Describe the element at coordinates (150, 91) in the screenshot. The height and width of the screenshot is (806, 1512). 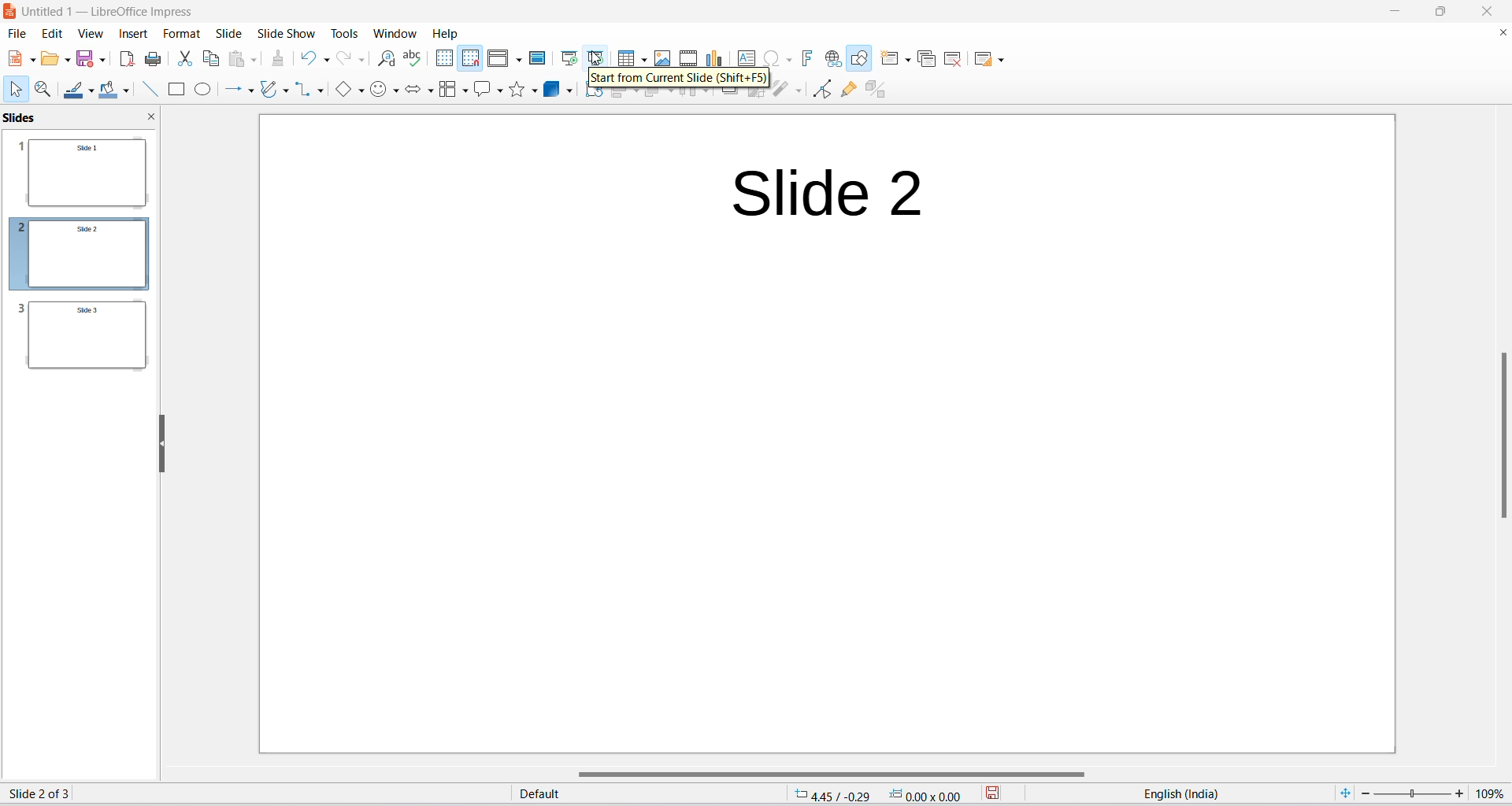
I see `line ` at that location.